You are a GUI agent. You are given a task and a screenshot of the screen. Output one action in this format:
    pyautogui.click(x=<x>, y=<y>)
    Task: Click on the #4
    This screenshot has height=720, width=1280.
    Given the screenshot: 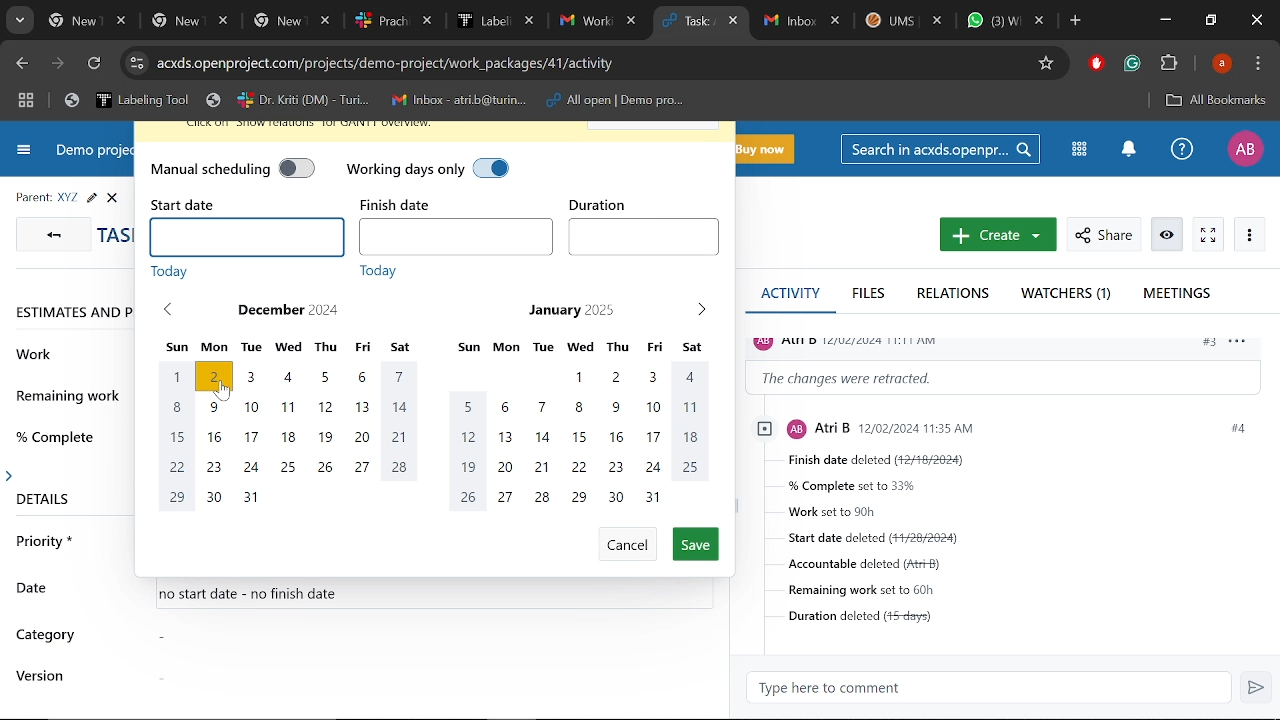 What is the action you would take?
    pyautogui.click(x=1236, y=428)
    